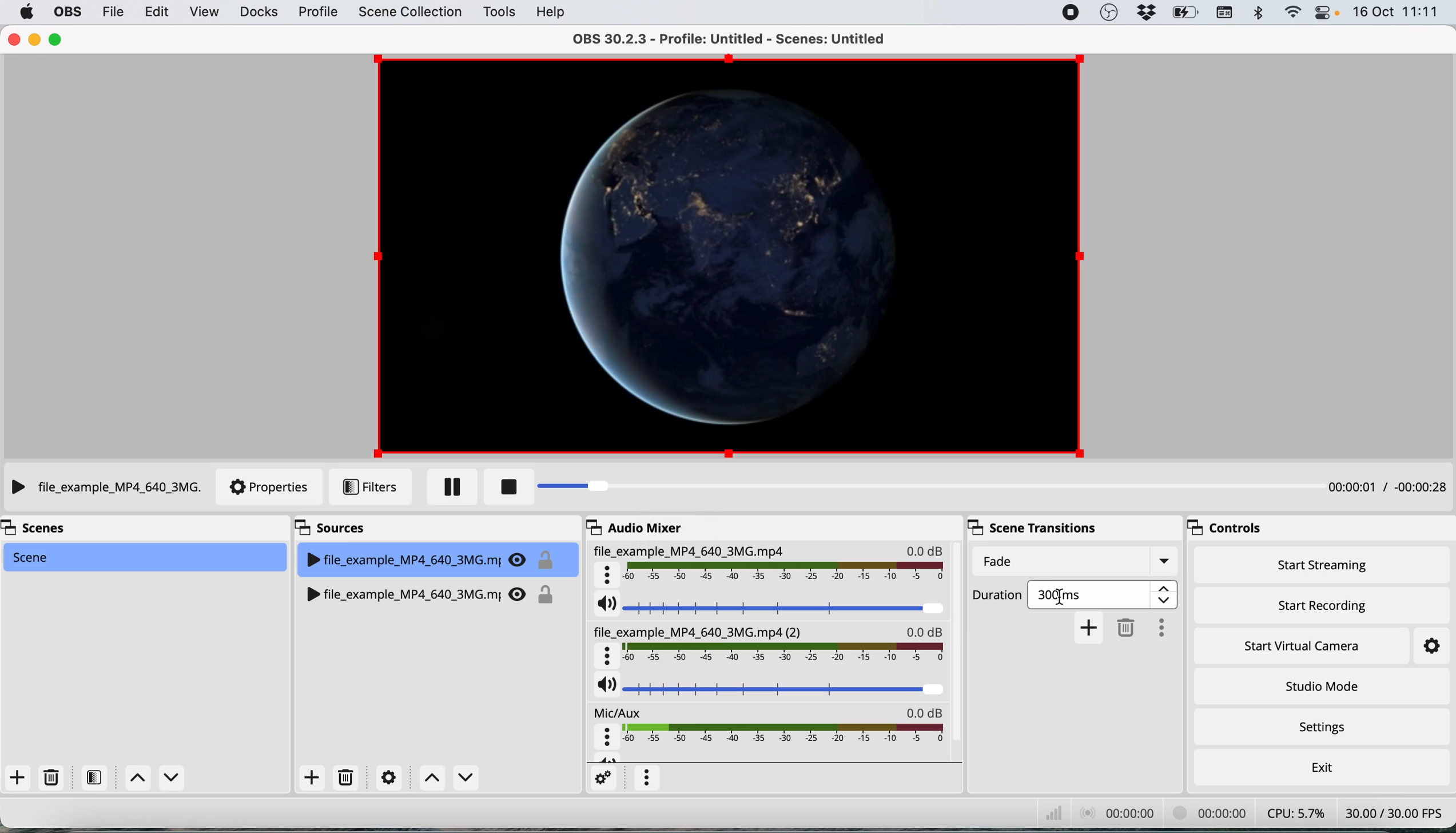  What do you see at coordinates (438, 556) in the screenshot?
I see `current source` at bounding box center [438, 556].